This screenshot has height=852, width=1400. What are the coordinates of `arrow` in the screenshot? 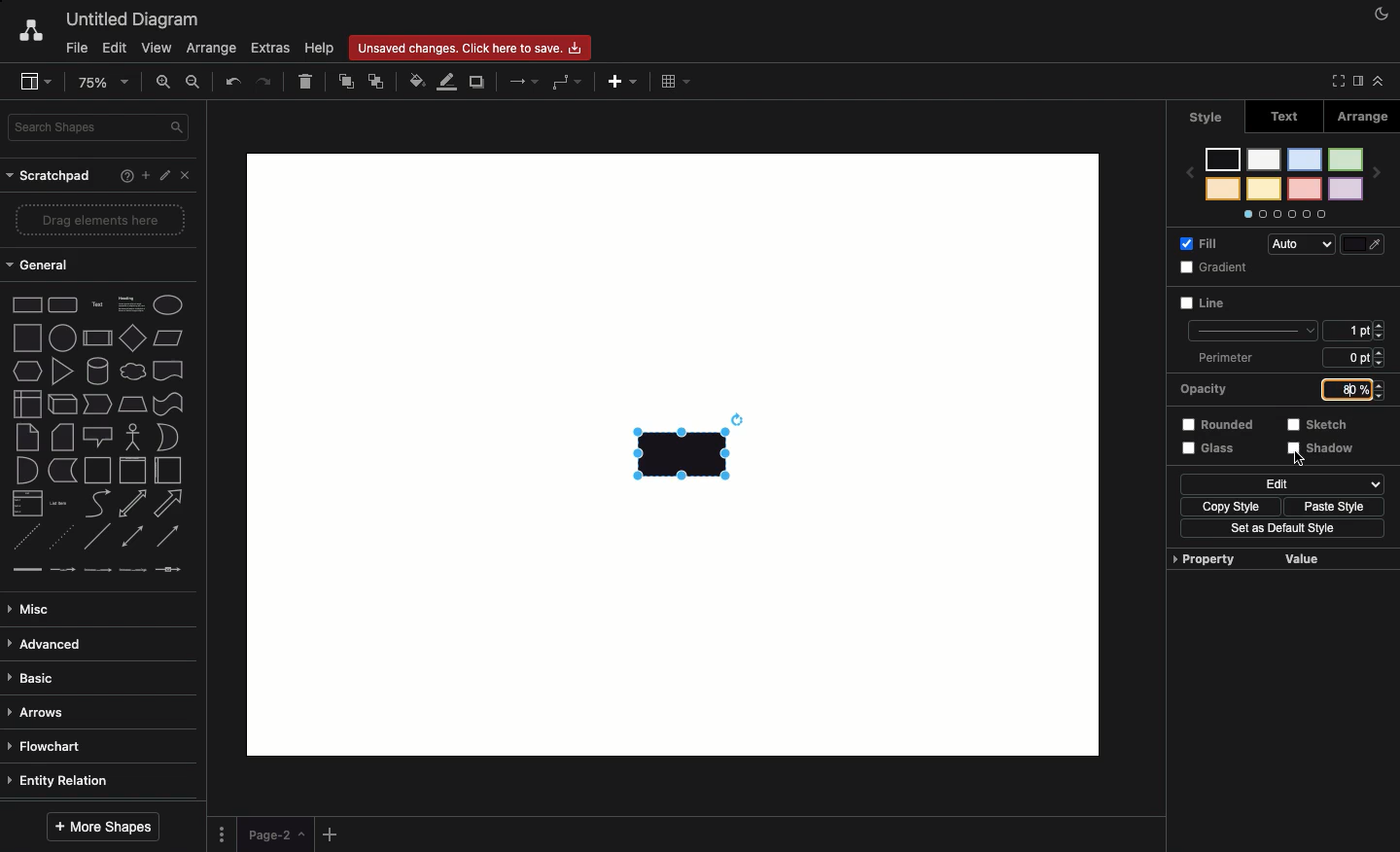 It's located at (169, 506).